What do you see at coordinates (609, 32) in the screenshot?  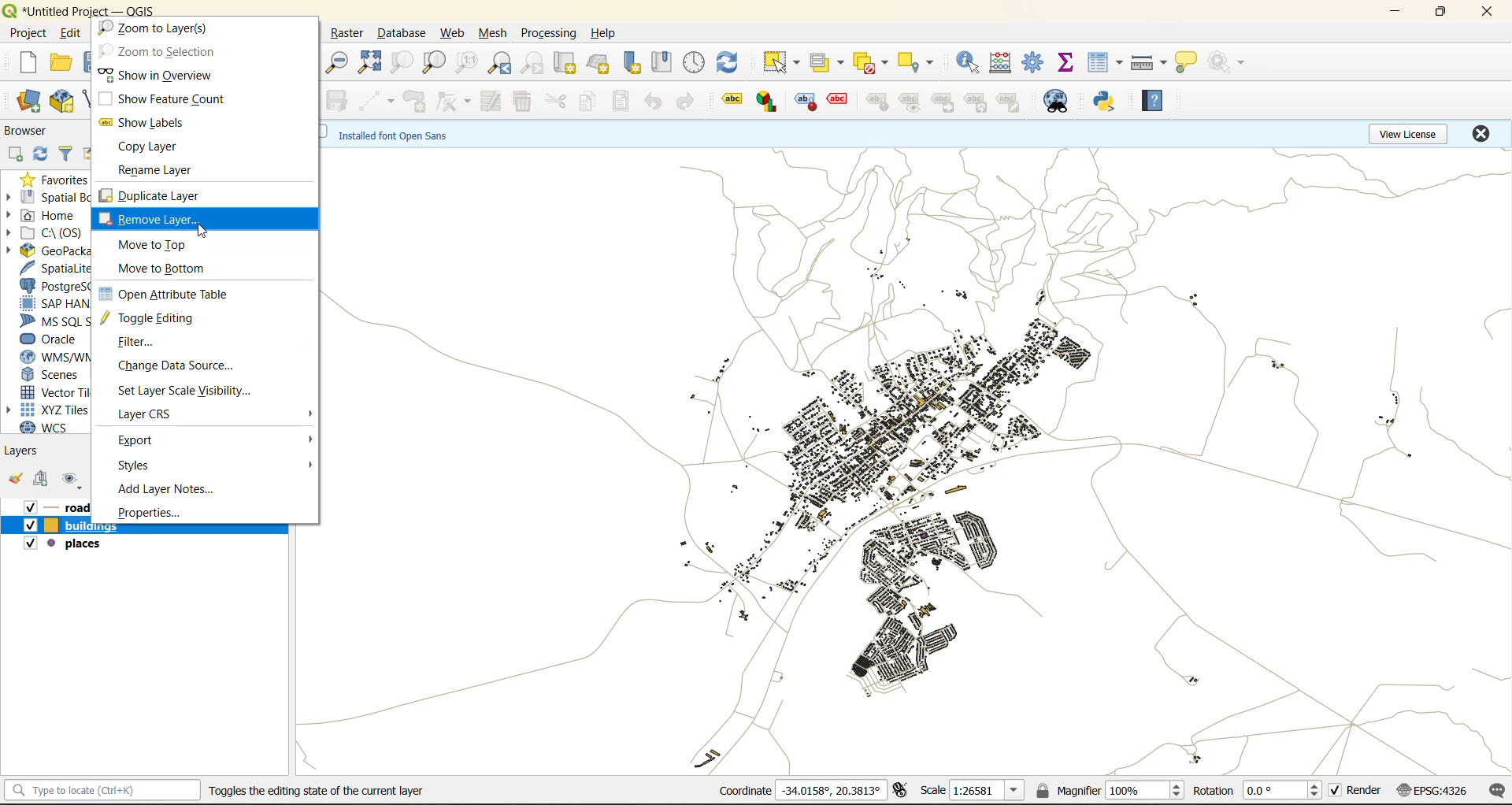 I see `help` at bounding box center [609, 32].